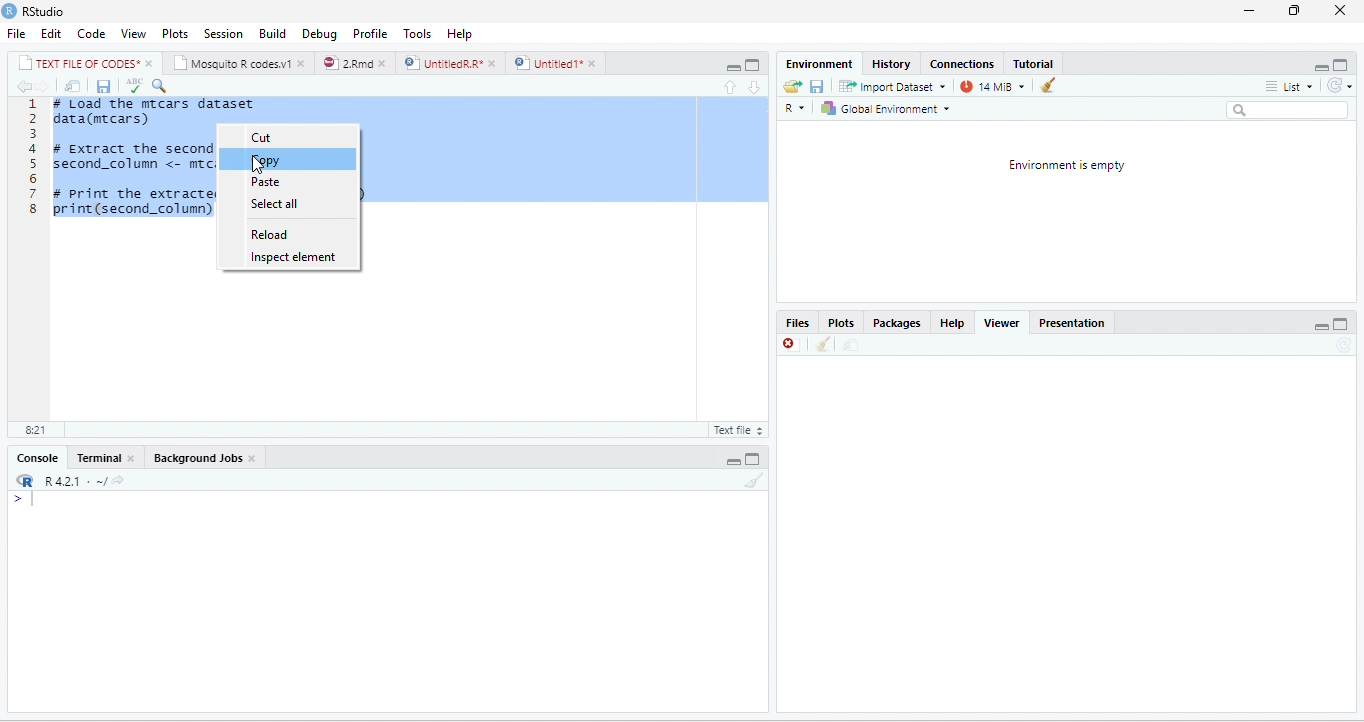 Image resolution: width=1364 pixels, height=722 pixels. I want to click on close, so click(492, 62).